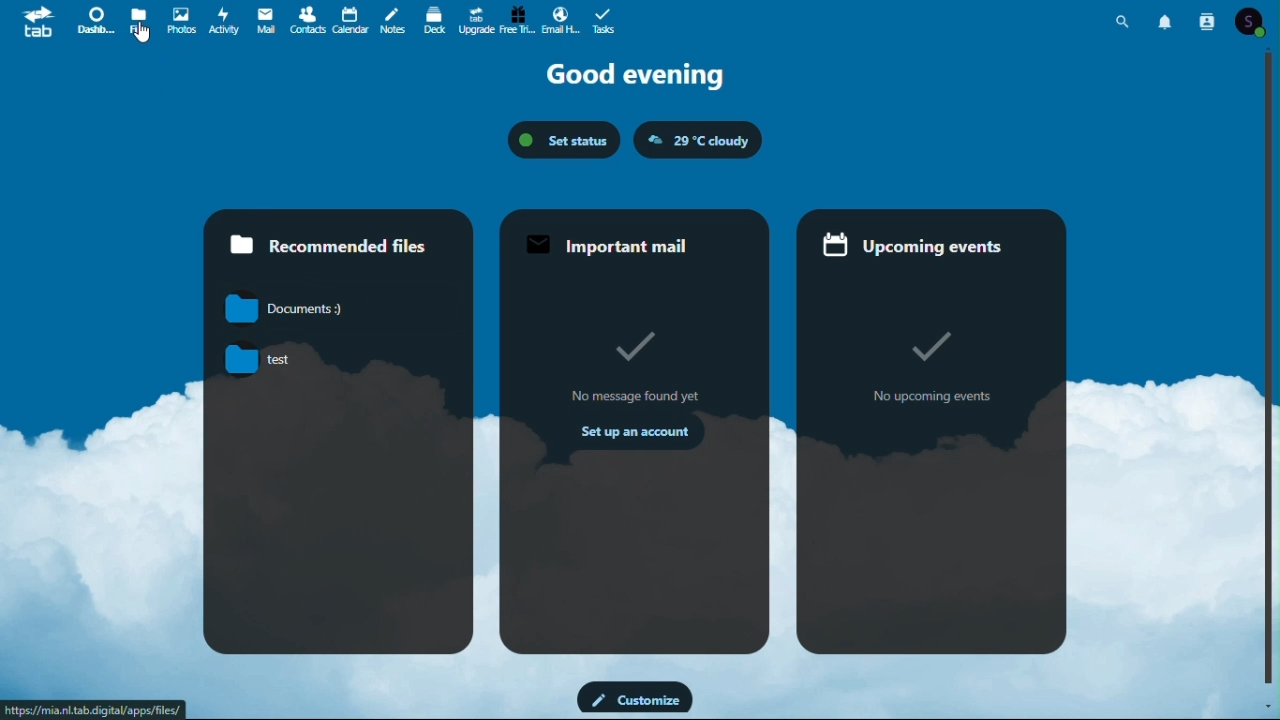  Describe the element at coordinates (94, 21) in the screenshot. I see `Dashboard` at that location.